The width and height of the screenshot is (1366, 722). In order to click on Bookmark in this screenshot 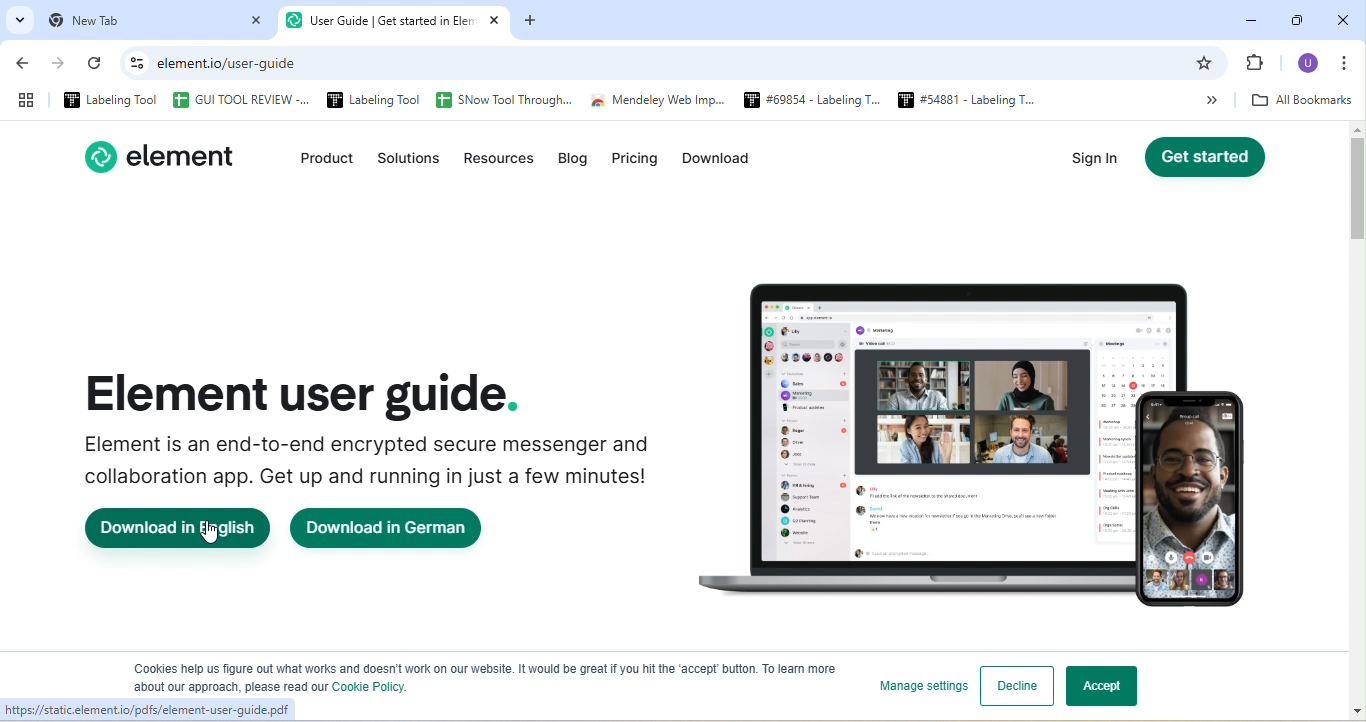, I will do `click(1258, 65)`.